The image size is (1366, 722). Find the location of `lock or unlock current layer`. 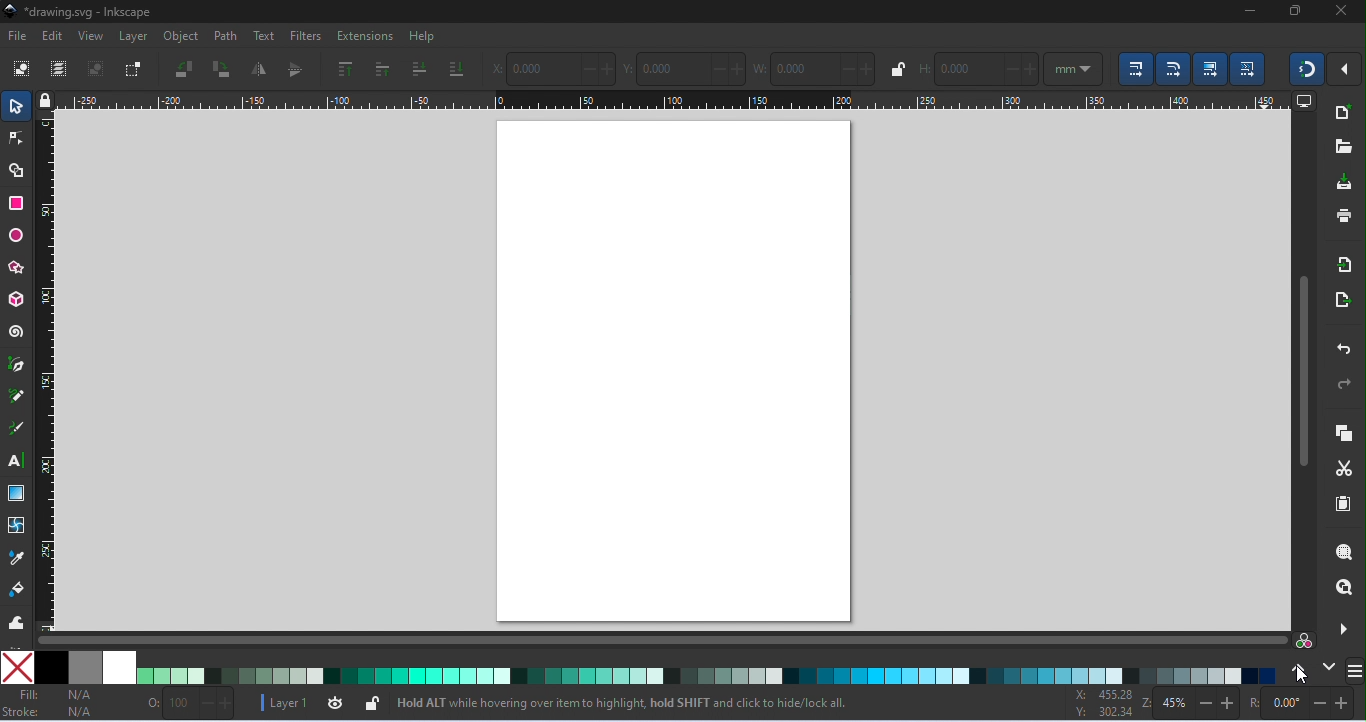

lock or unlock current layer is located at coordinates (371, 702).